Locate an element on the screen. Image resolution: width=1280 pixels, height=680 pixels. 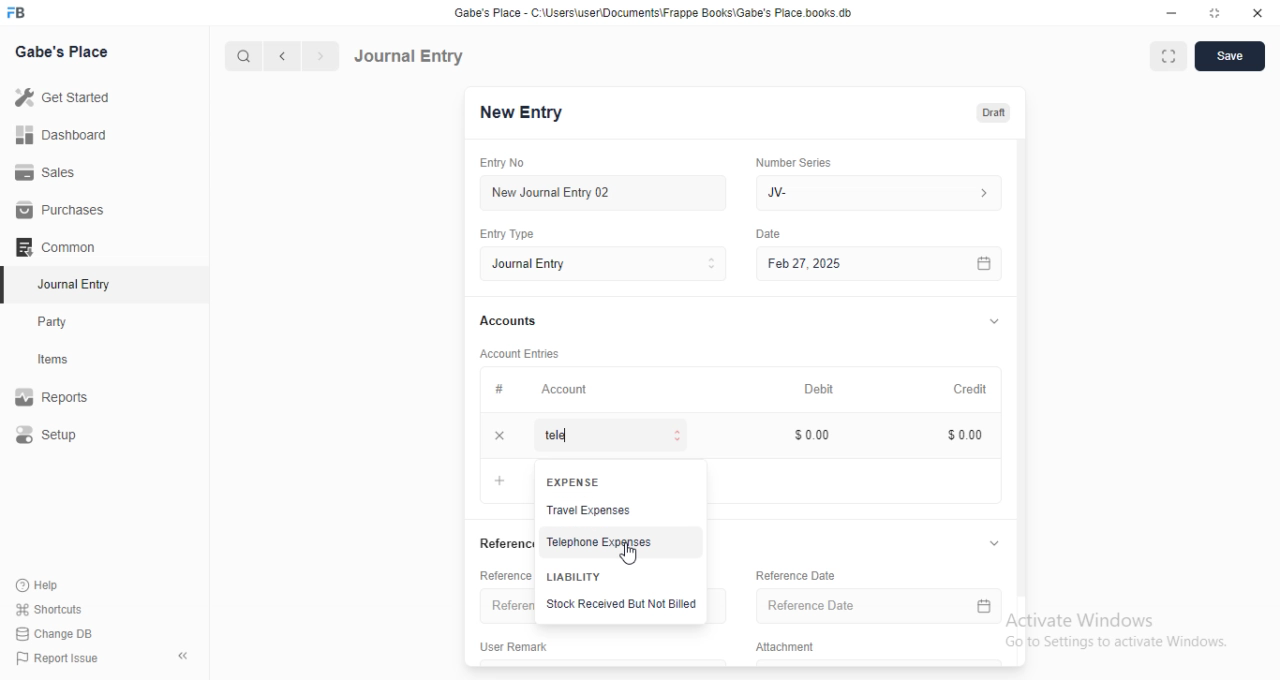
Add is located at coordinates (499, 435).